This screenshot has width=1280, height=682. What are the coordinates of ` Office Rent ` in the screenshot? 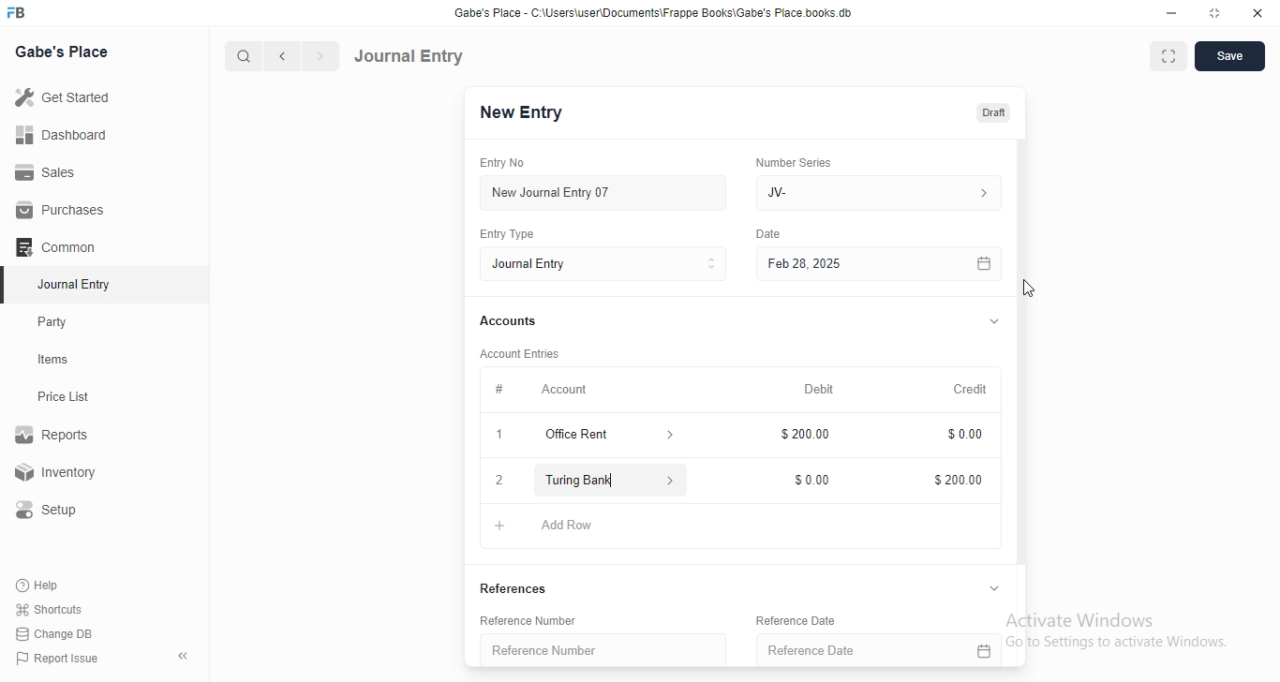 It's located at (609, 434).